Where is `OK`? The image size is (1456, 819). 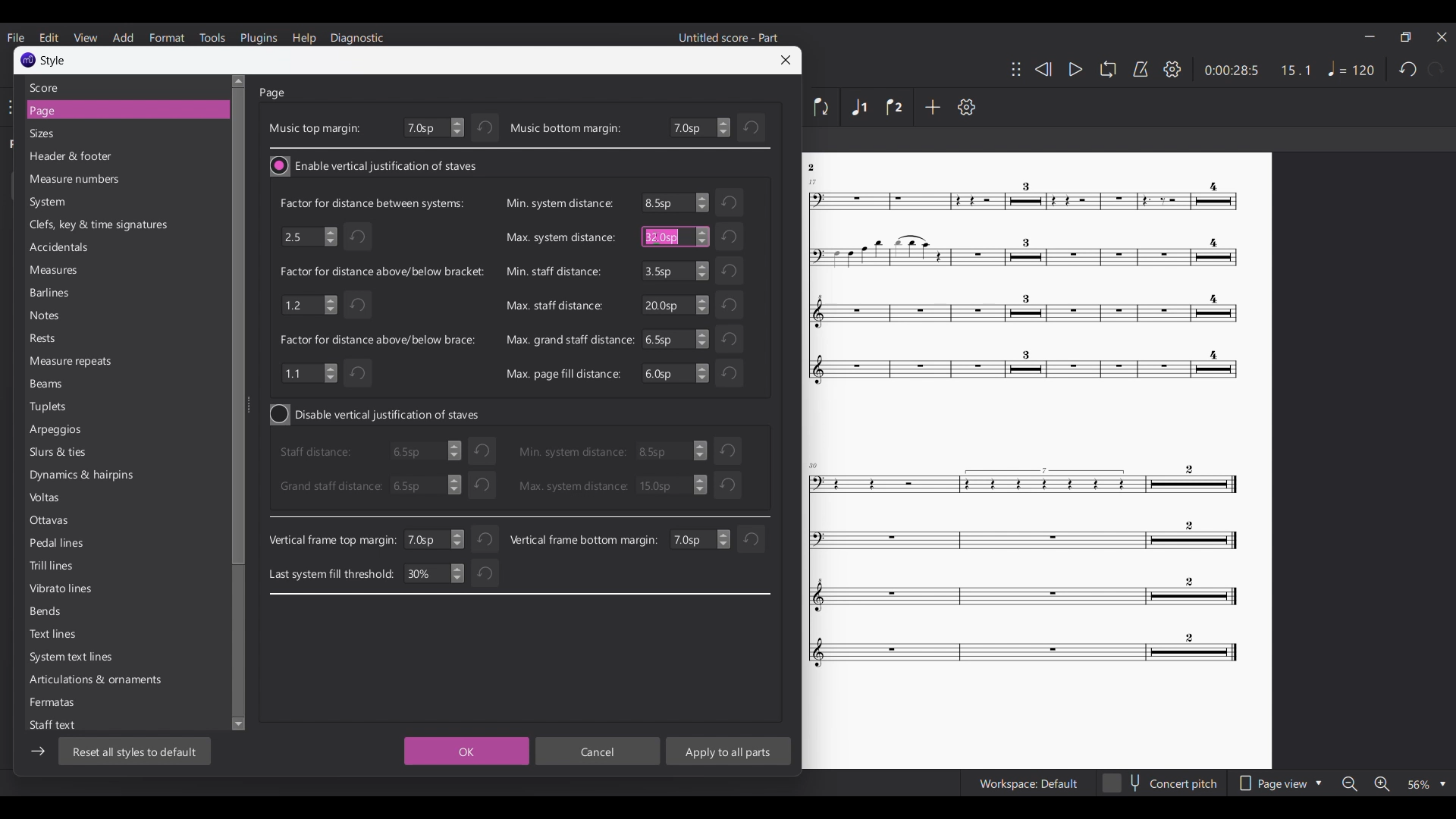 OK is located at coordinates (463, 752).